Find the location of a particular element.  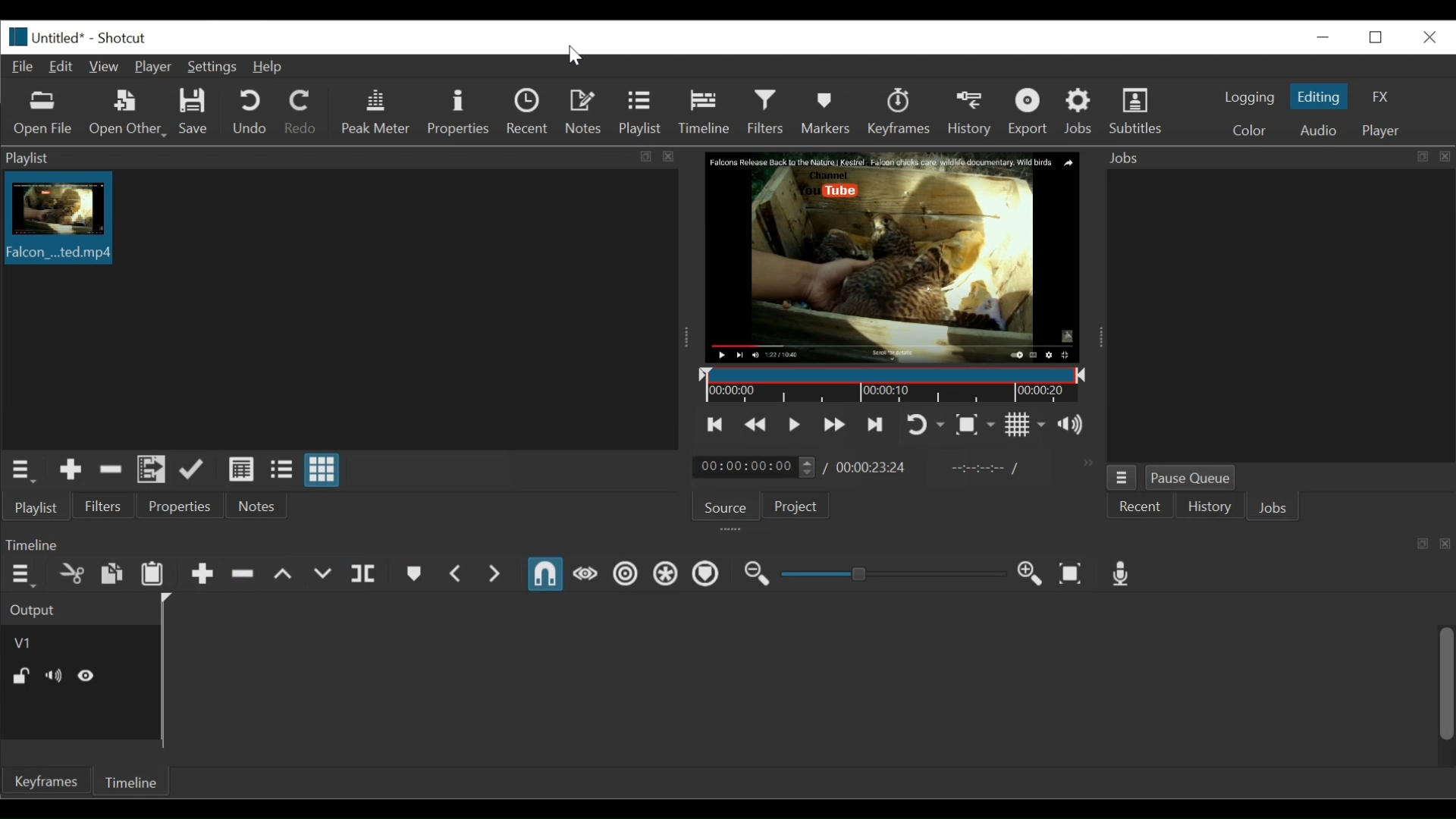

View is located at coordinates (104, 66).